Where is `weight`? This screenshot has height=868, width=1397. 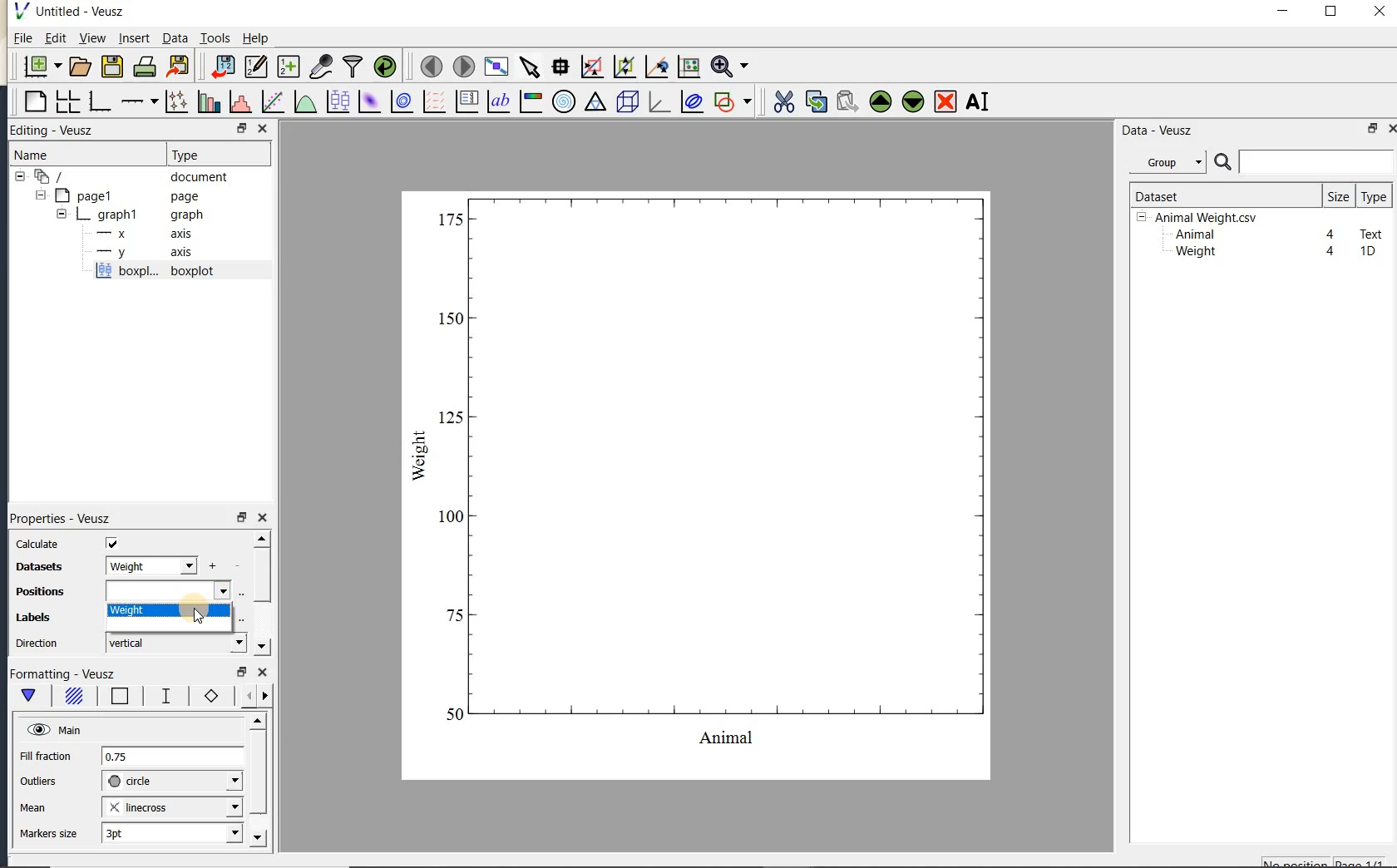
weight is located at coordinates (168, 611).